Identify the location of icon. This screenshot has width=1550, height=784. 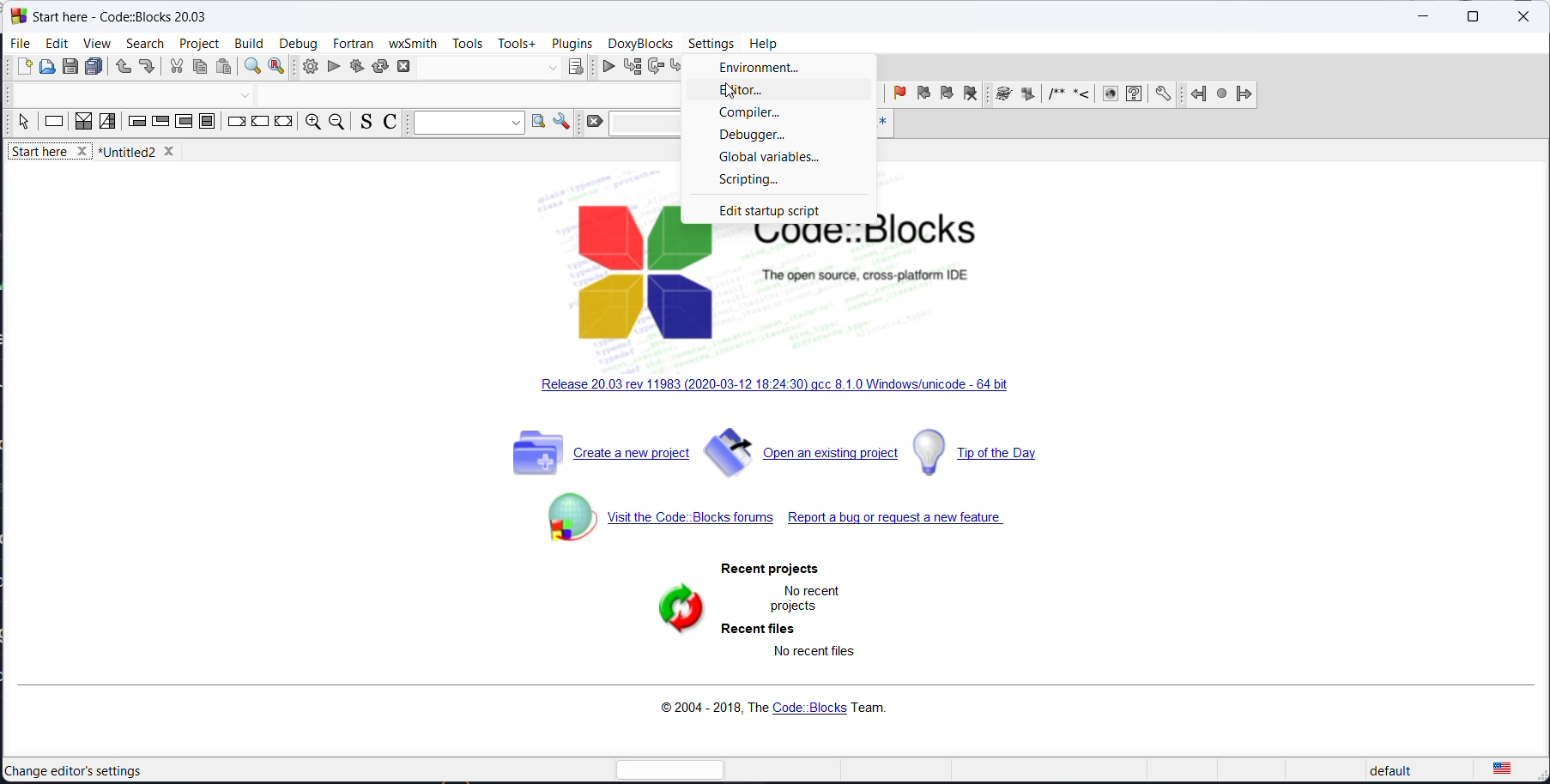
(1054, 96).